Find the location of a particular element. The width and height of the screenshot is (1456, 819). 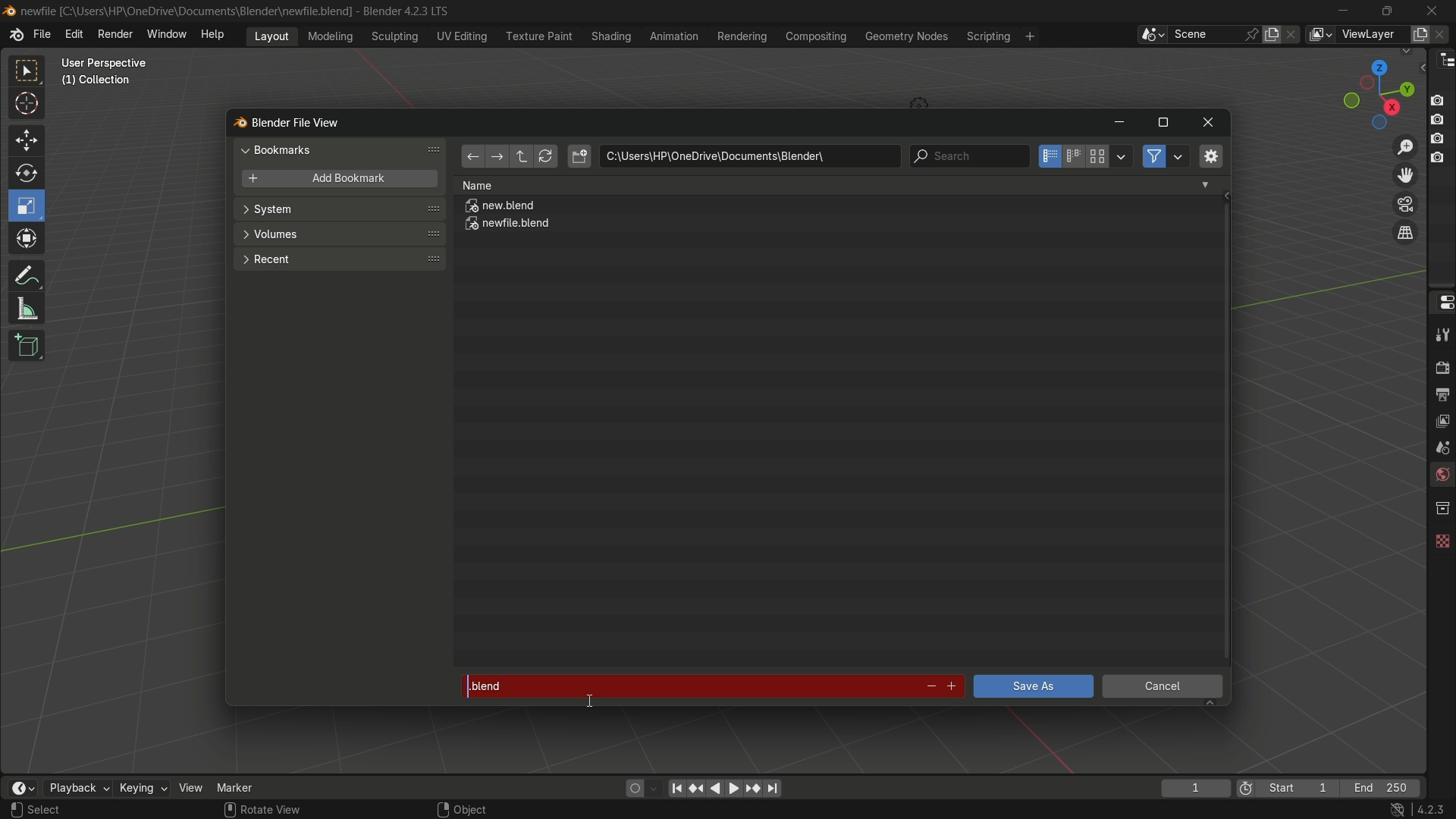

view layer is located at coordinates (1441, 419).